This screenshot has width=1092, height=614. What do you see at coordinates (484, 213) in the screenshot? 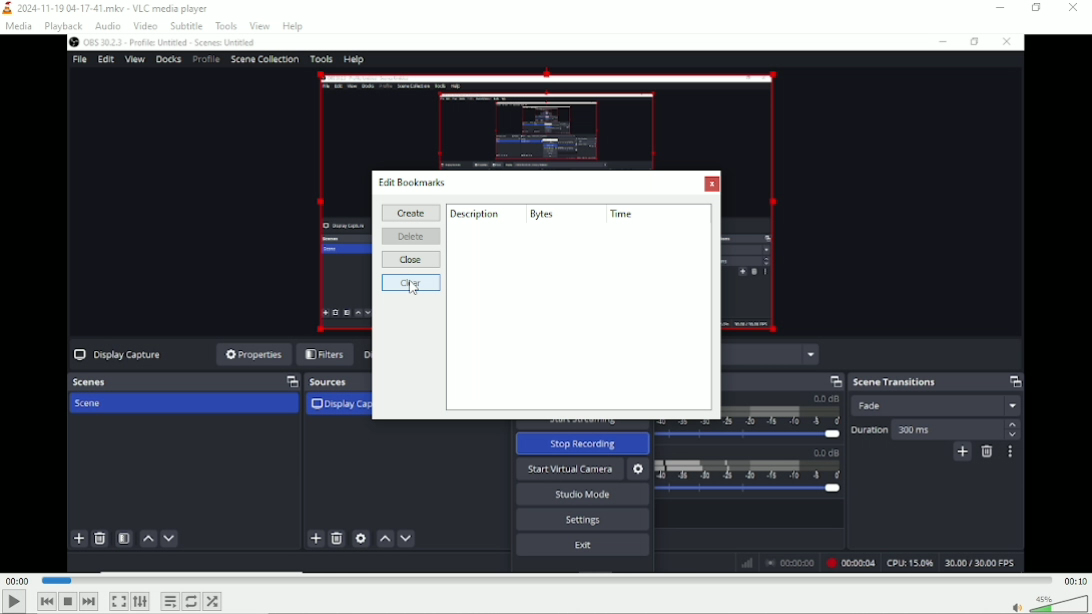
I see `Description` at bounding box center [484, 213].